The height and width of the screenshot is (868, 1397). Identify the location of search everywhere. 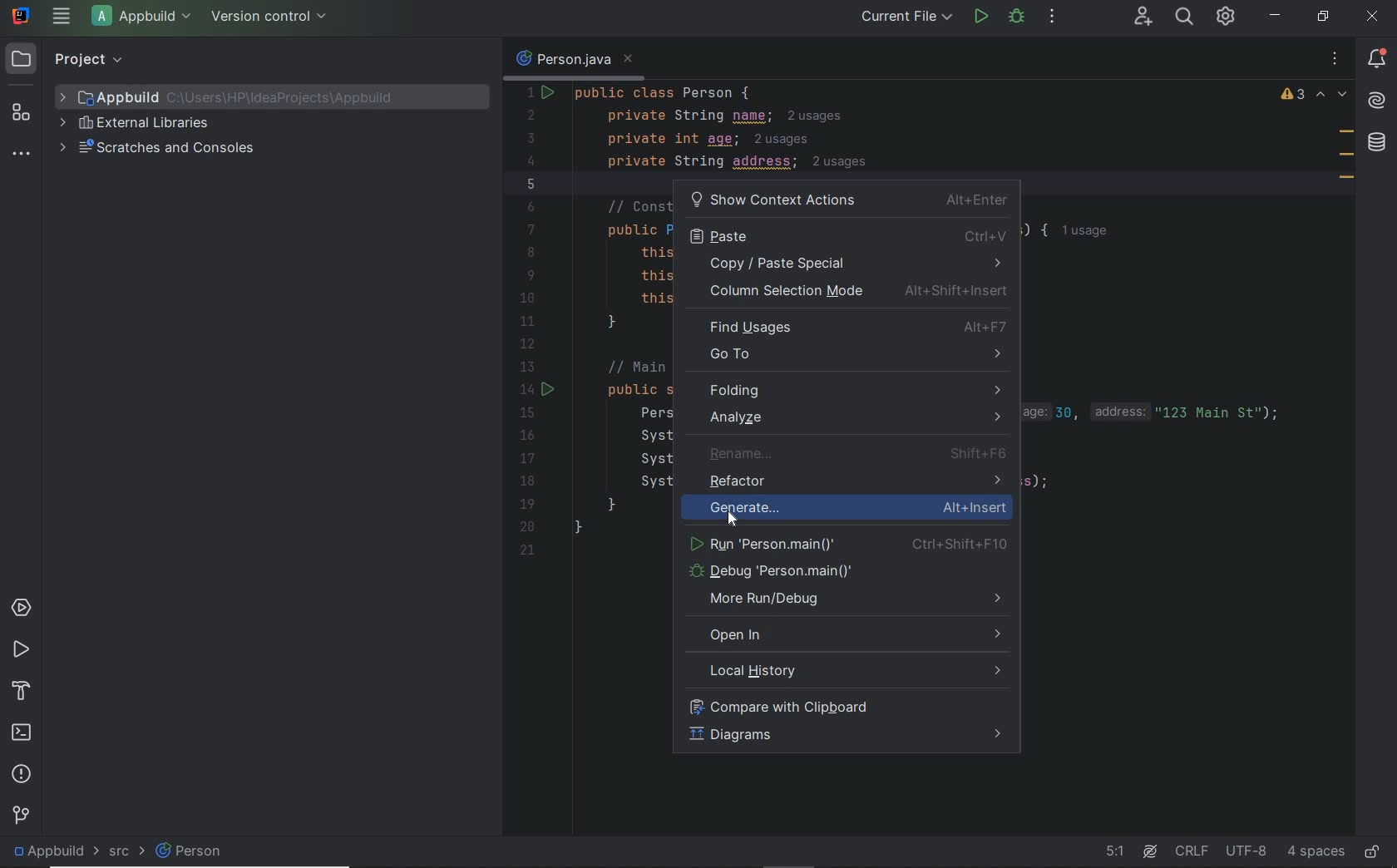
(1186, 18).